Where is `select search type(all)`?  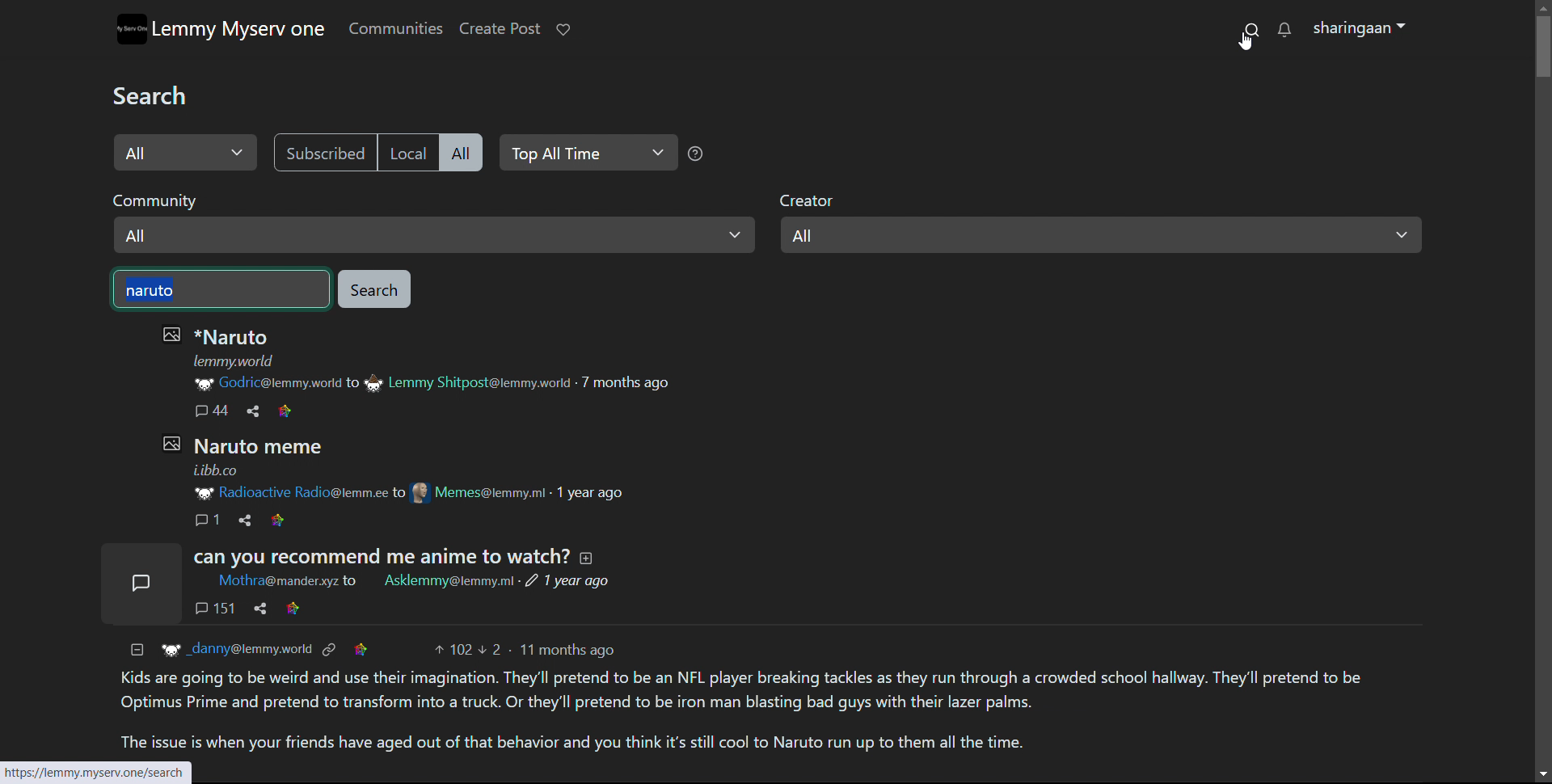
select search type(all) is located at coordinates (186, 152).